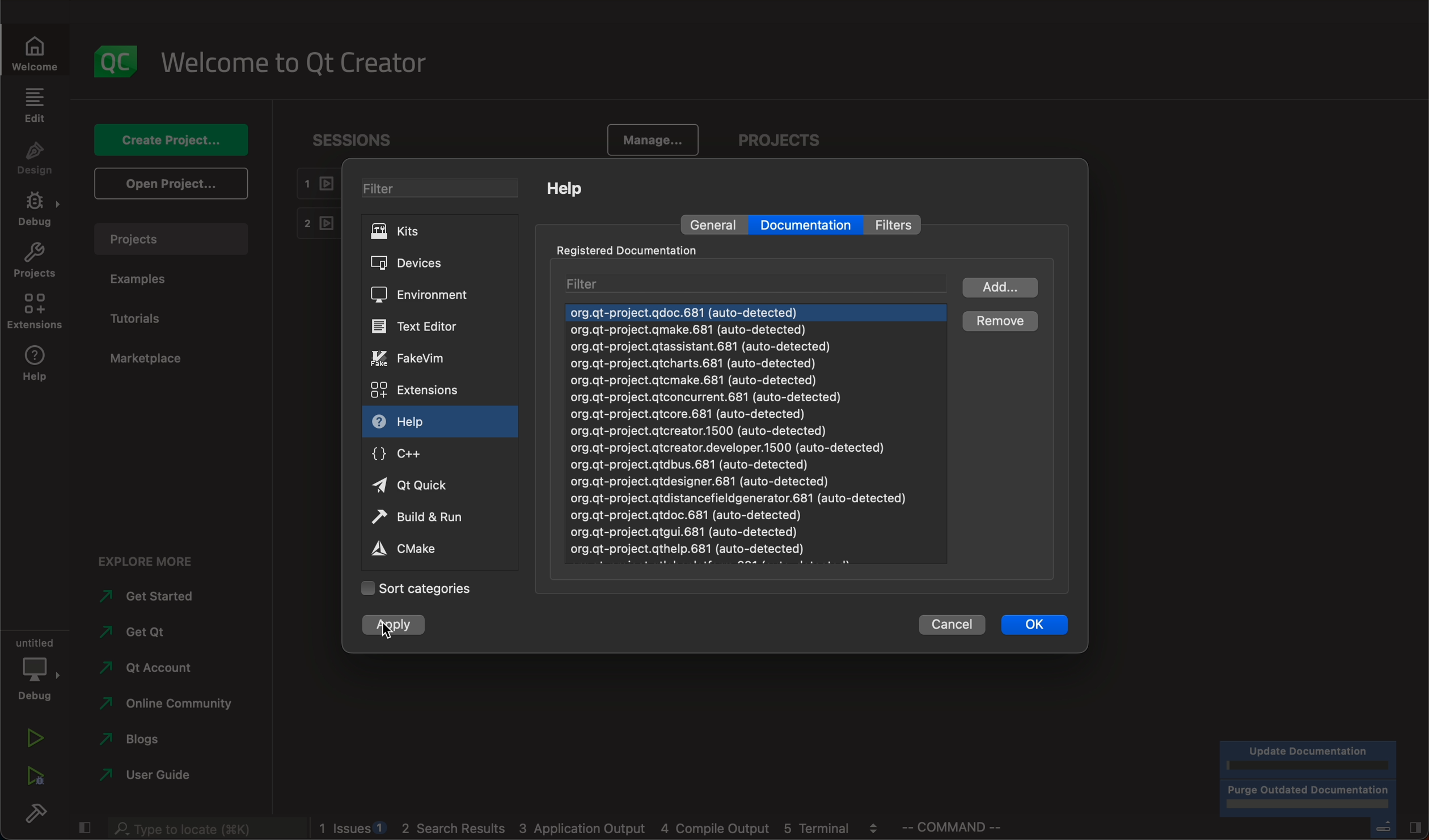  I want to click on cursor, so click(388, 631).